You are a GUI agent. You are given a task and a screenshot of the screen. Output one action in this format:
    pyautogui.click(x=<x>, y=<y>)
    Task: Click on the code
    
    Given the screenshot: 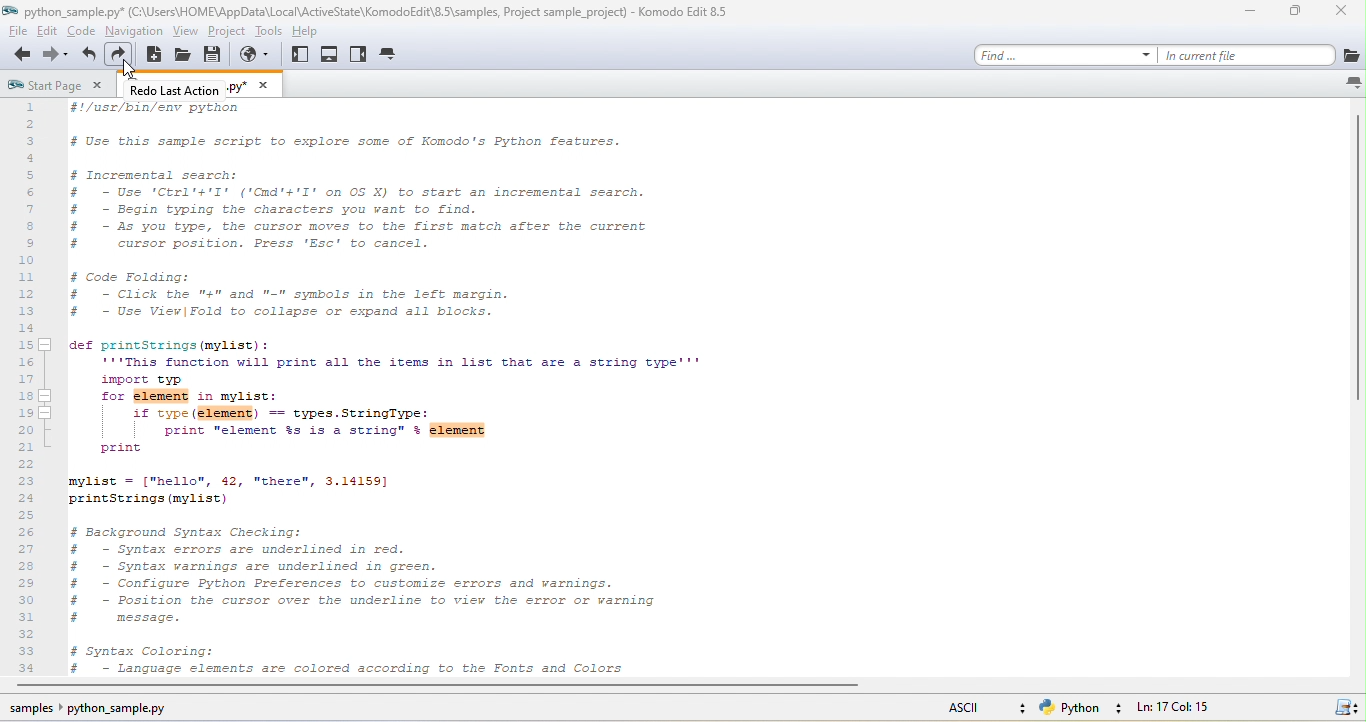 What is the action you would take?
    pyautogui.click(x=78, y=31)
    